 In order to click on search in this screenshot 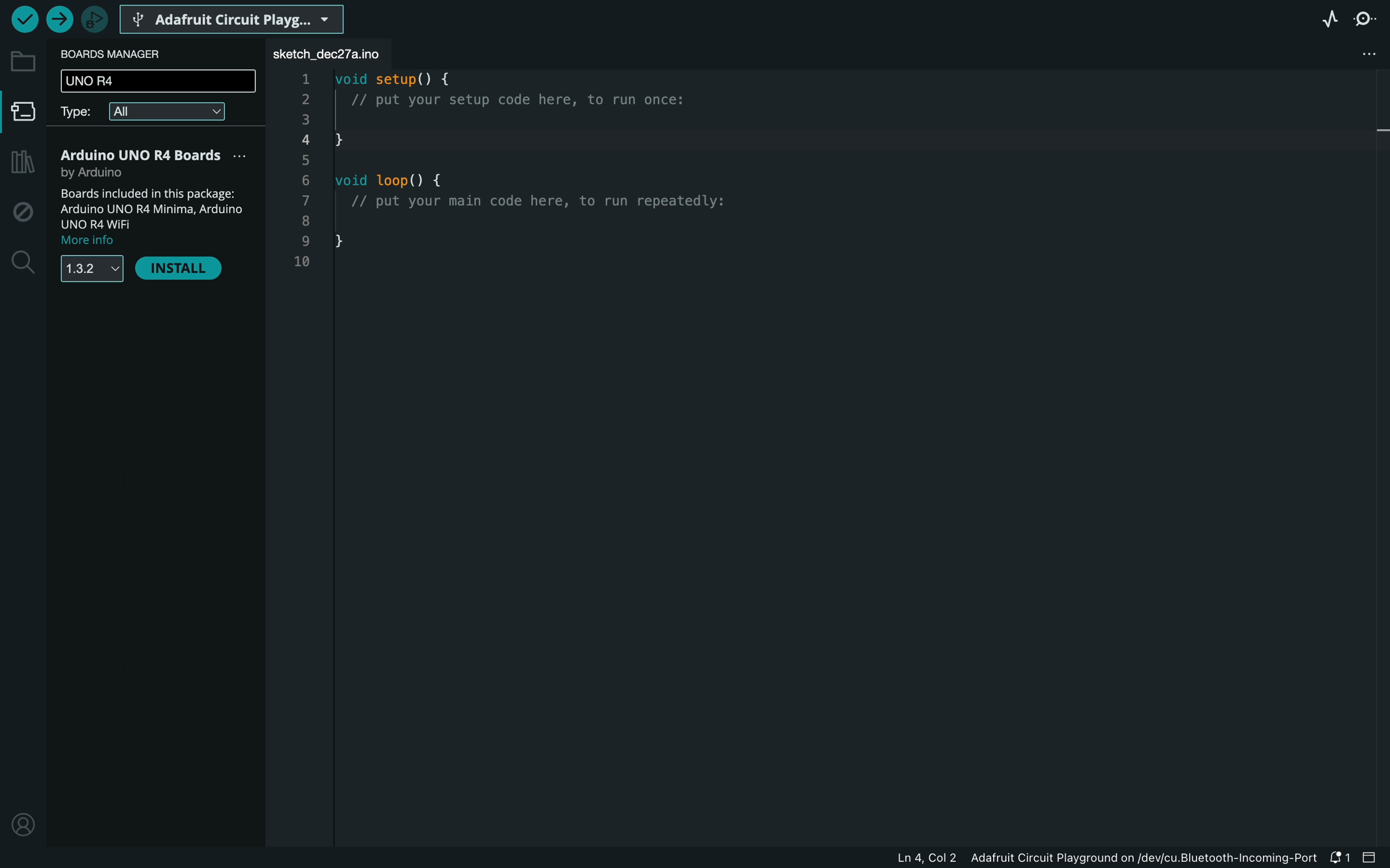, I will do `click(25, 261)`.